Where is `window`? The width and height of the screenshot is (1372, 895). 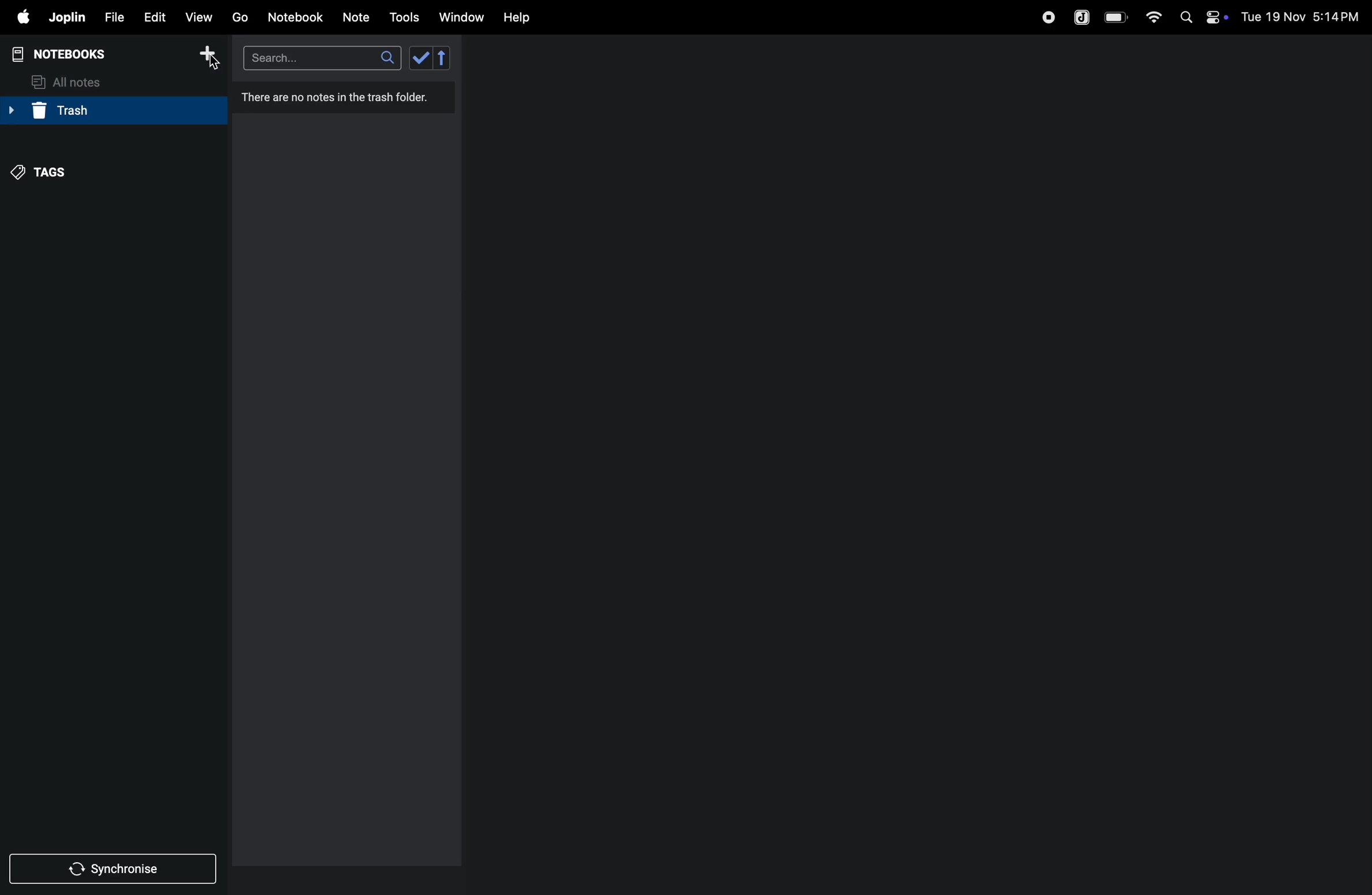 window is located at coordinates (460, 18).